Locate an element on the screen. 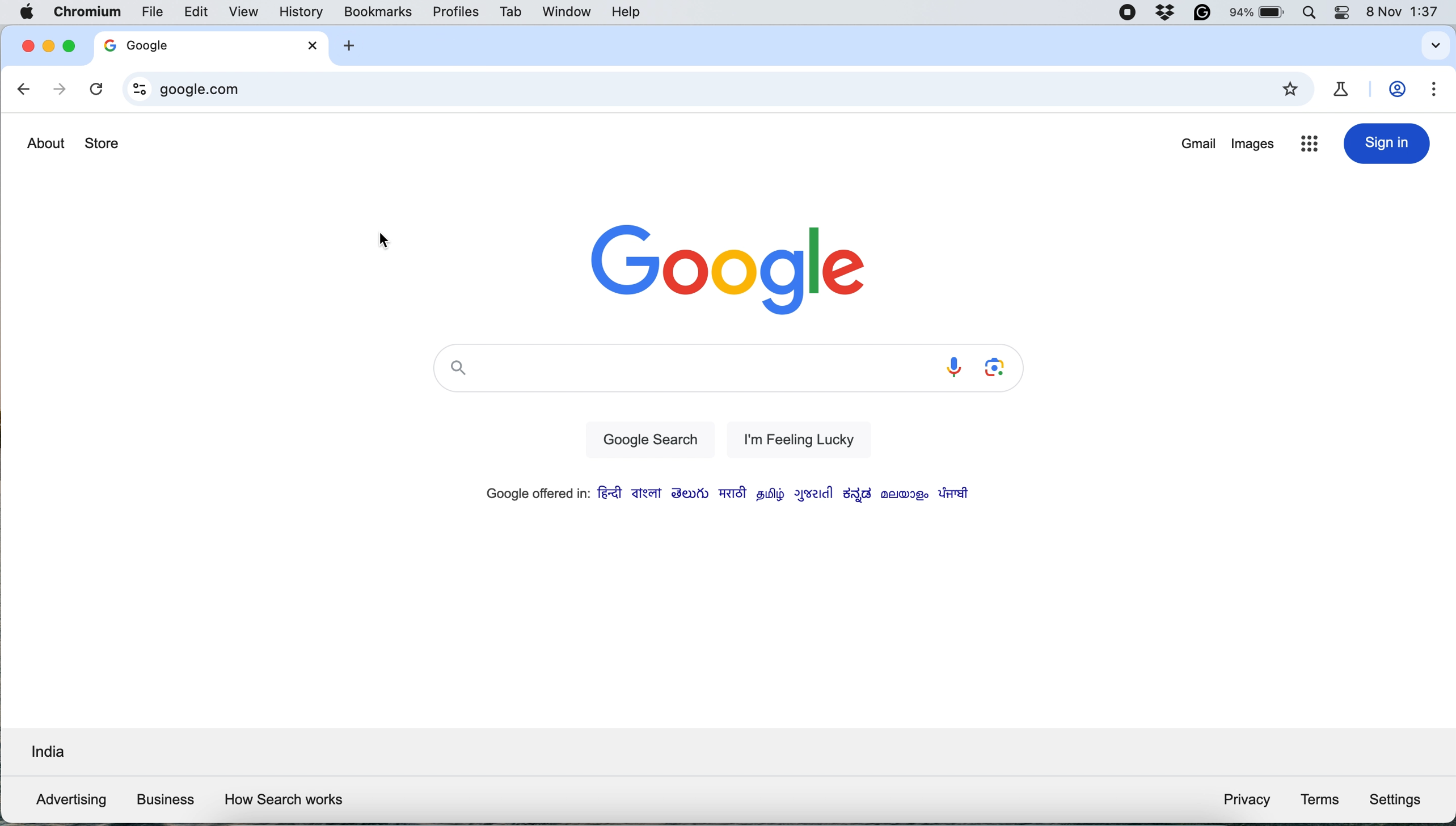 The width and height of the screenshot is (1456, 826). tab is located at coordinates (512, 12).